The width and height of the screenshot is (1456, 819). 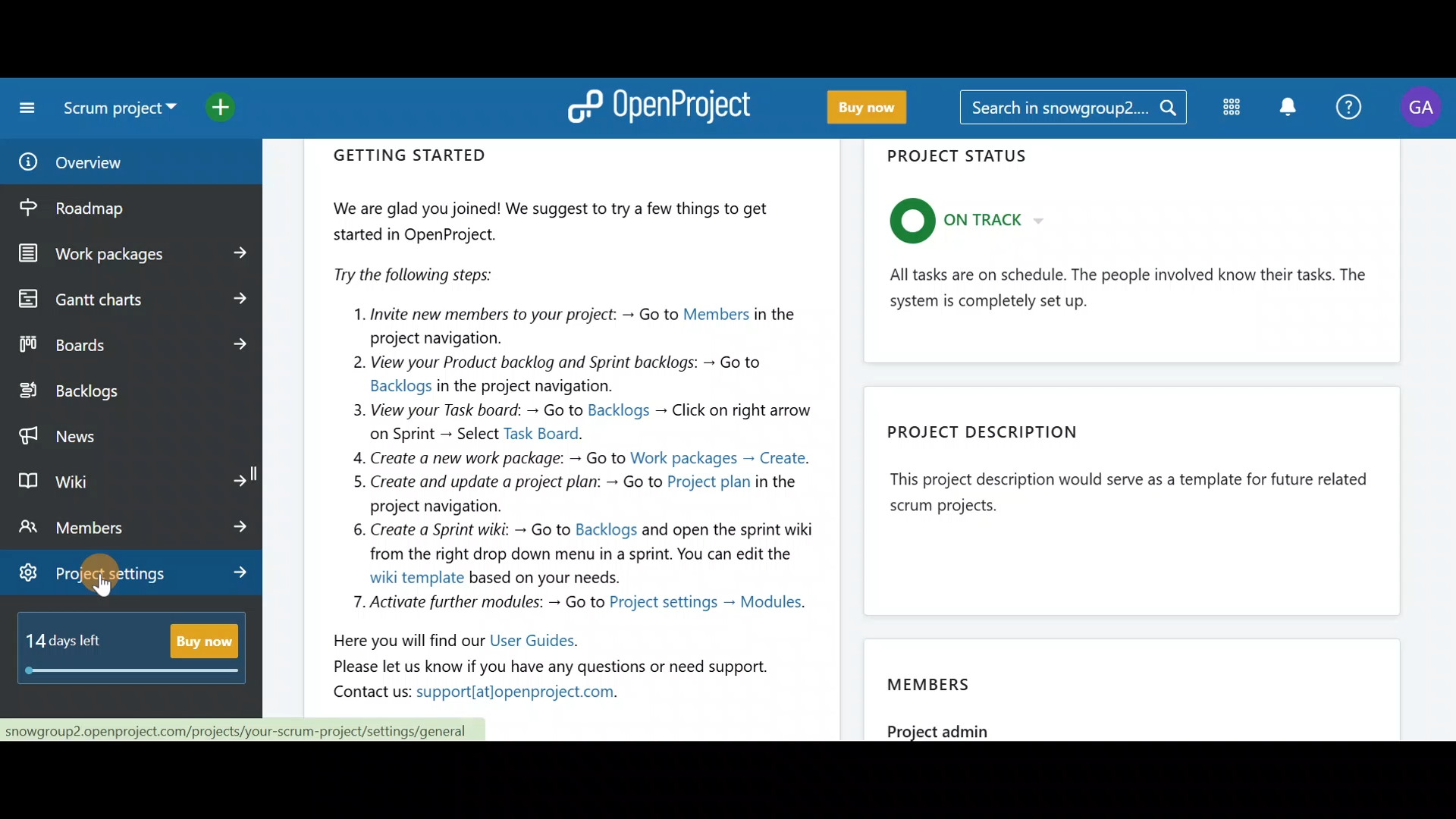 What do you see at coordinates (1228, 111) in the screenshot?
I see `Modules` at bounding box center [1228, 111].